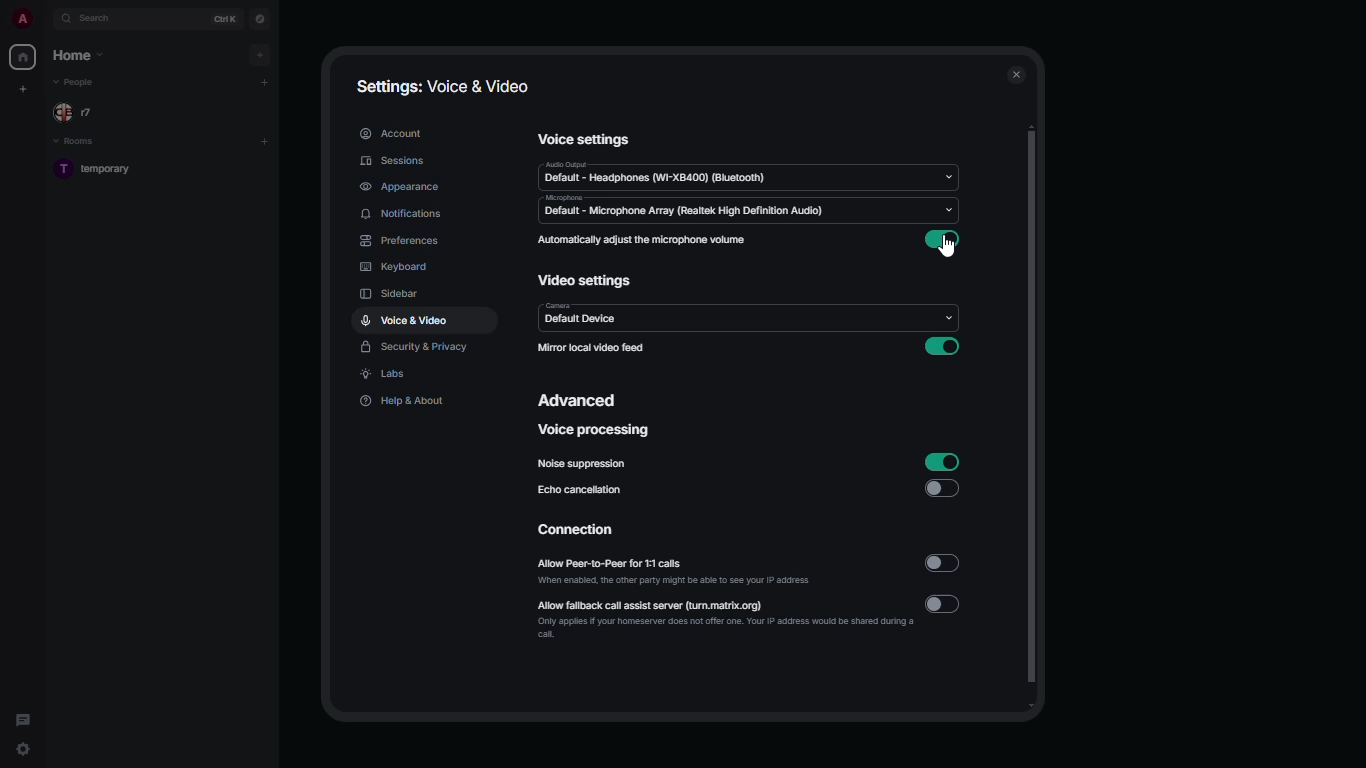 This screenshot has width=1366, height=768. What do you see at coordinates (593, 430) in the screenshot?
I see `voice processing` at bounding box center [593, 430].